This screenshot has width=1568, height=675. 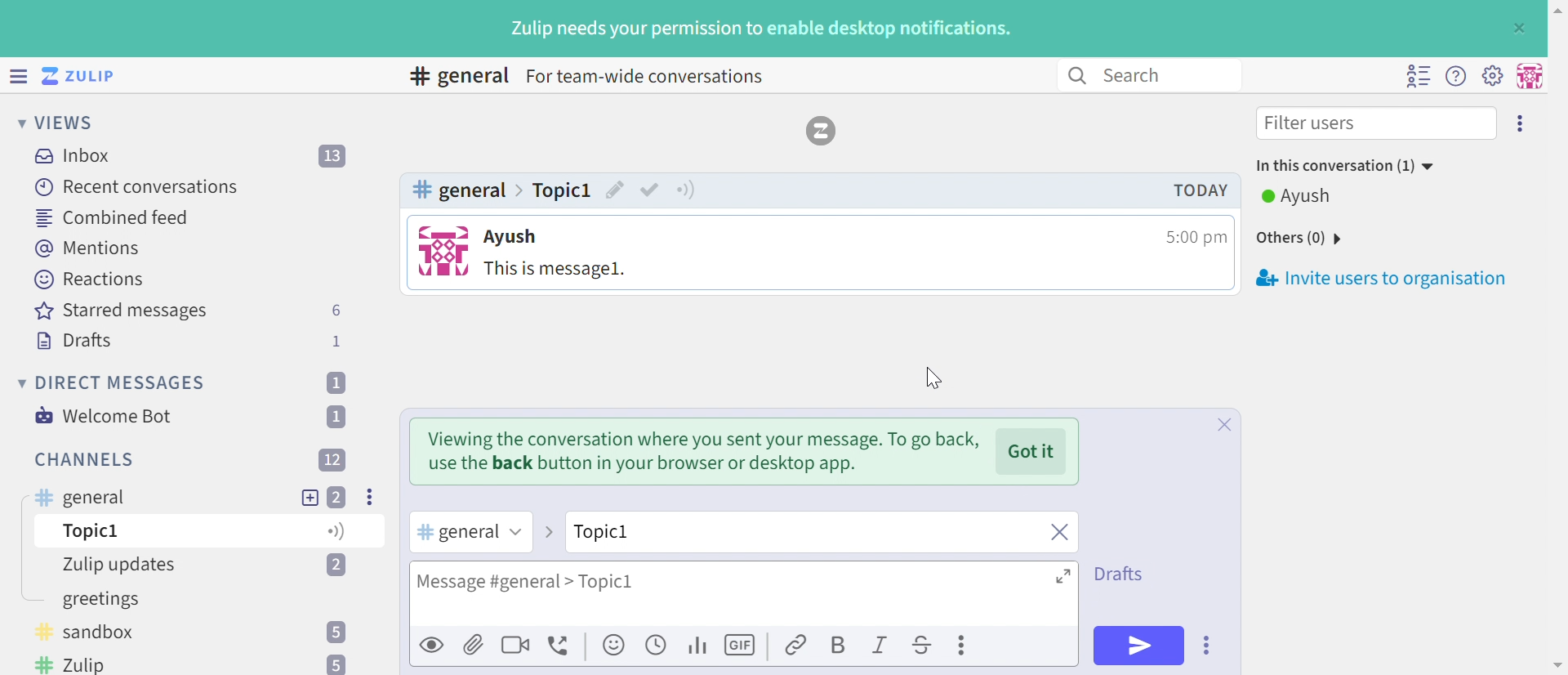 I want to click on Personal menu, so click(x=1527, y=76).